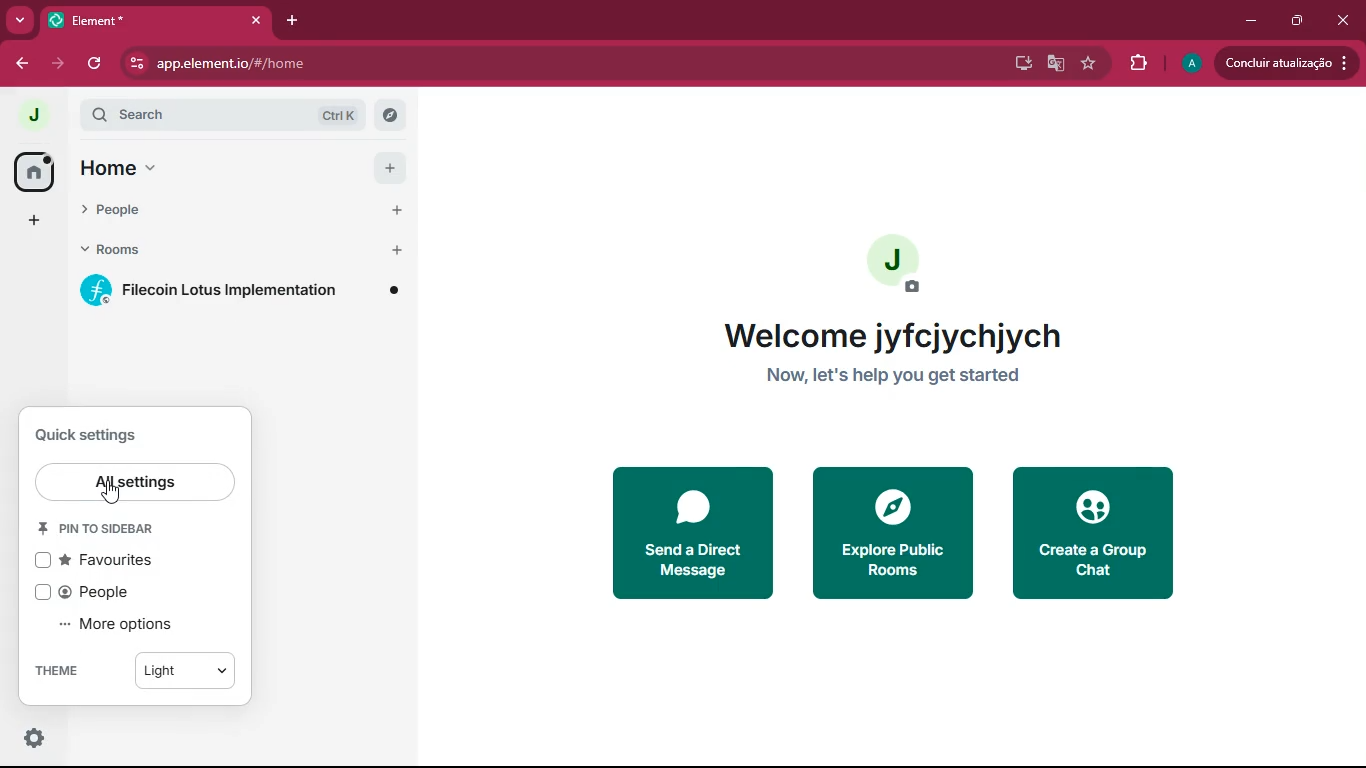 The width and height of the screenshot is (1366, 768). I want to click on back, so click(18, 61).